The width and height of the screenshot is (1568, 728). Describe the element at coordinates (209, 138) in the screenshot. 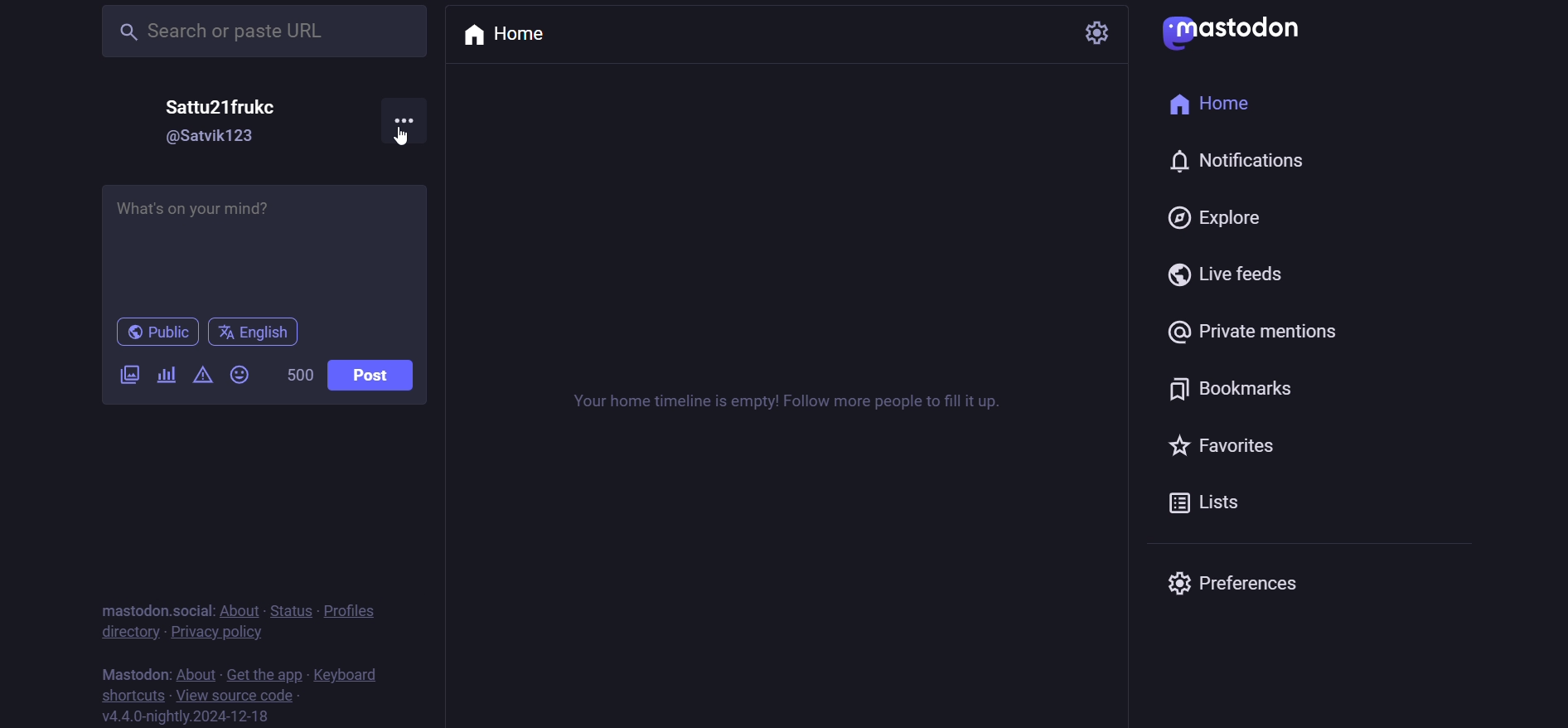

I see `id` at that location.